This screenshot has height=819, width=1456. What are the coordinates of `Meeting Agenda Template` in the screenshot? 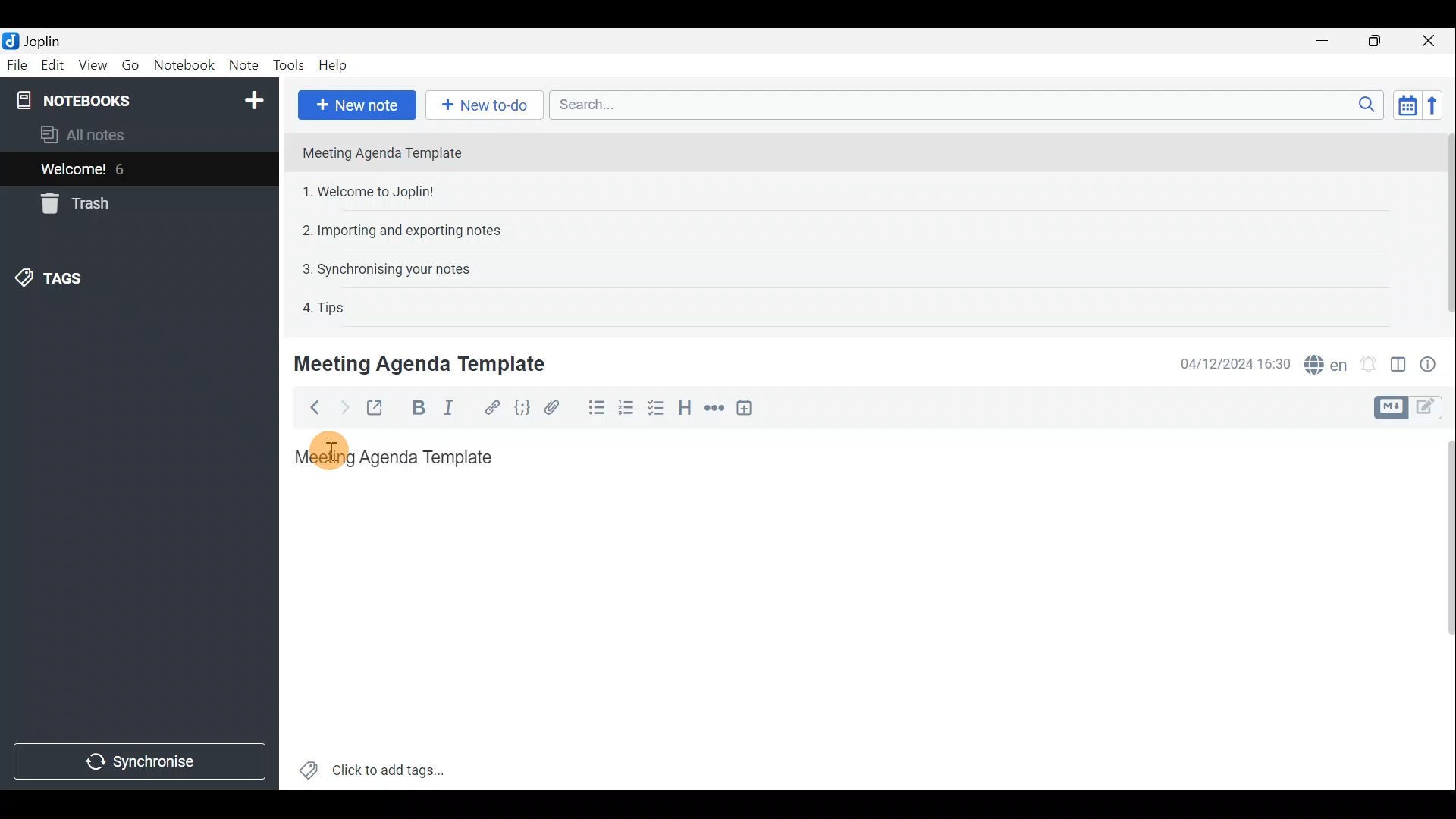 It's located at (384, 152).